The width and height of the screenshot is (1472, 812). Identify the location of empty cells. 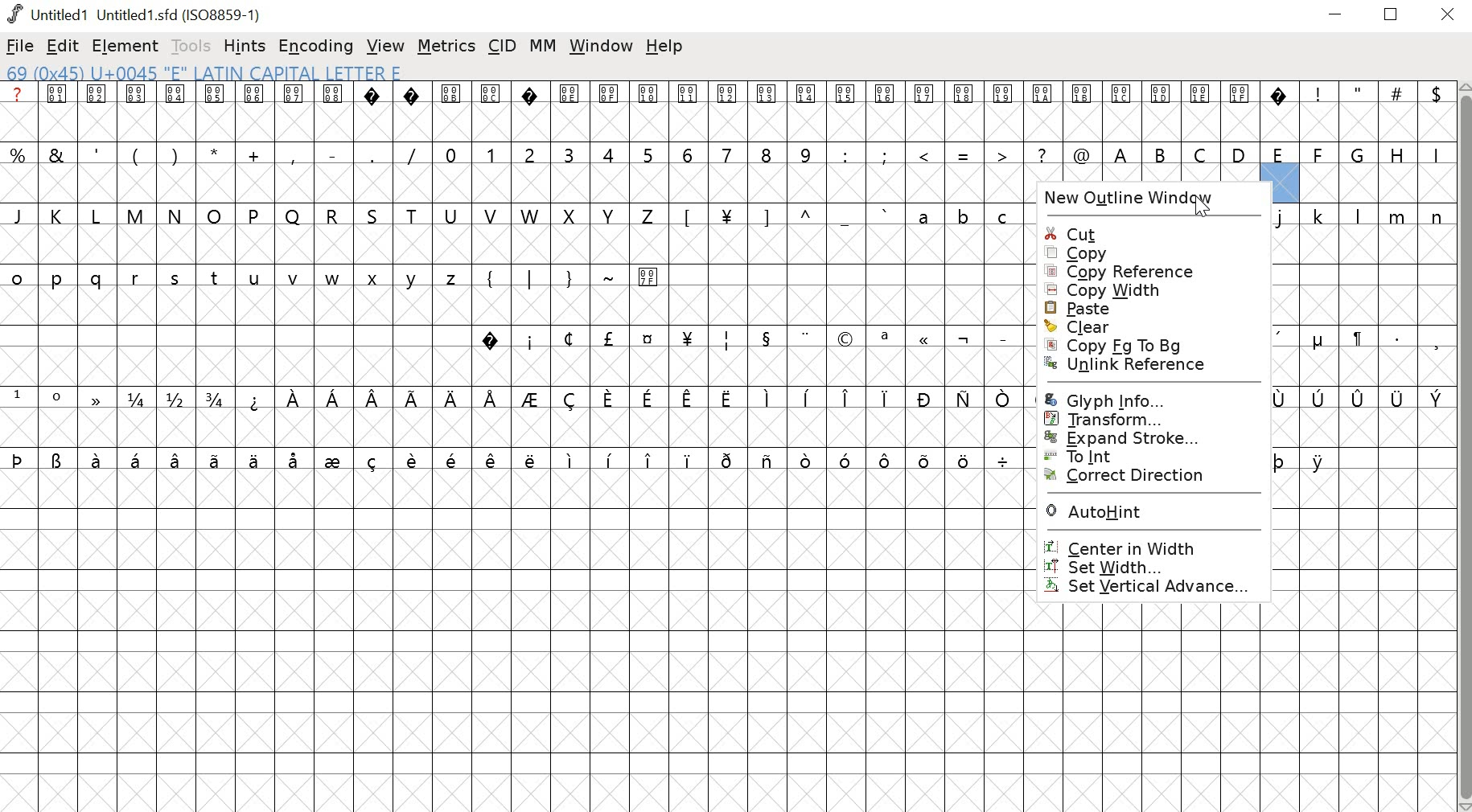
(235, 335).